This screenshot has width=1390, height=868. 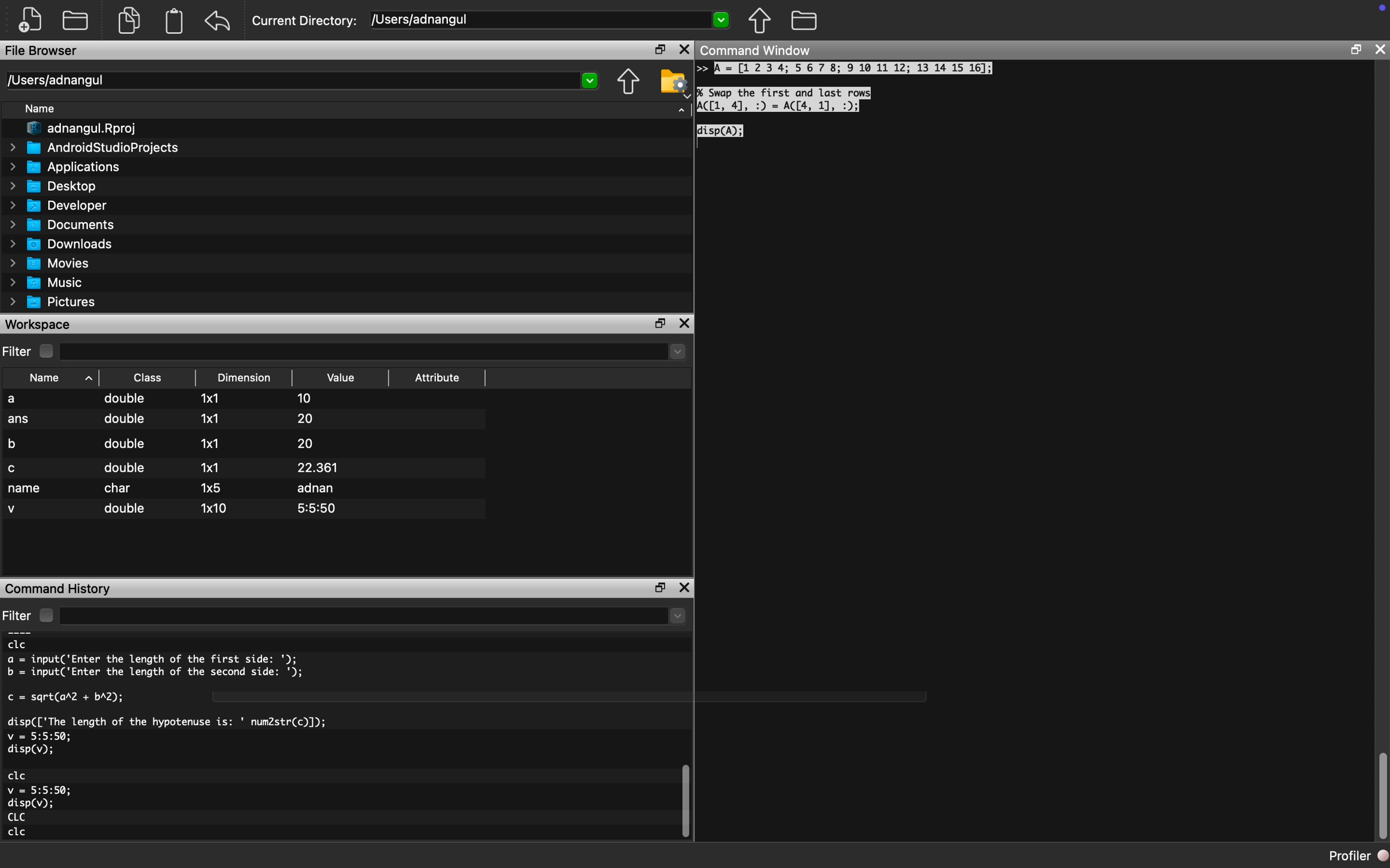 I want to click on Paste, so click(x=176, y=21).